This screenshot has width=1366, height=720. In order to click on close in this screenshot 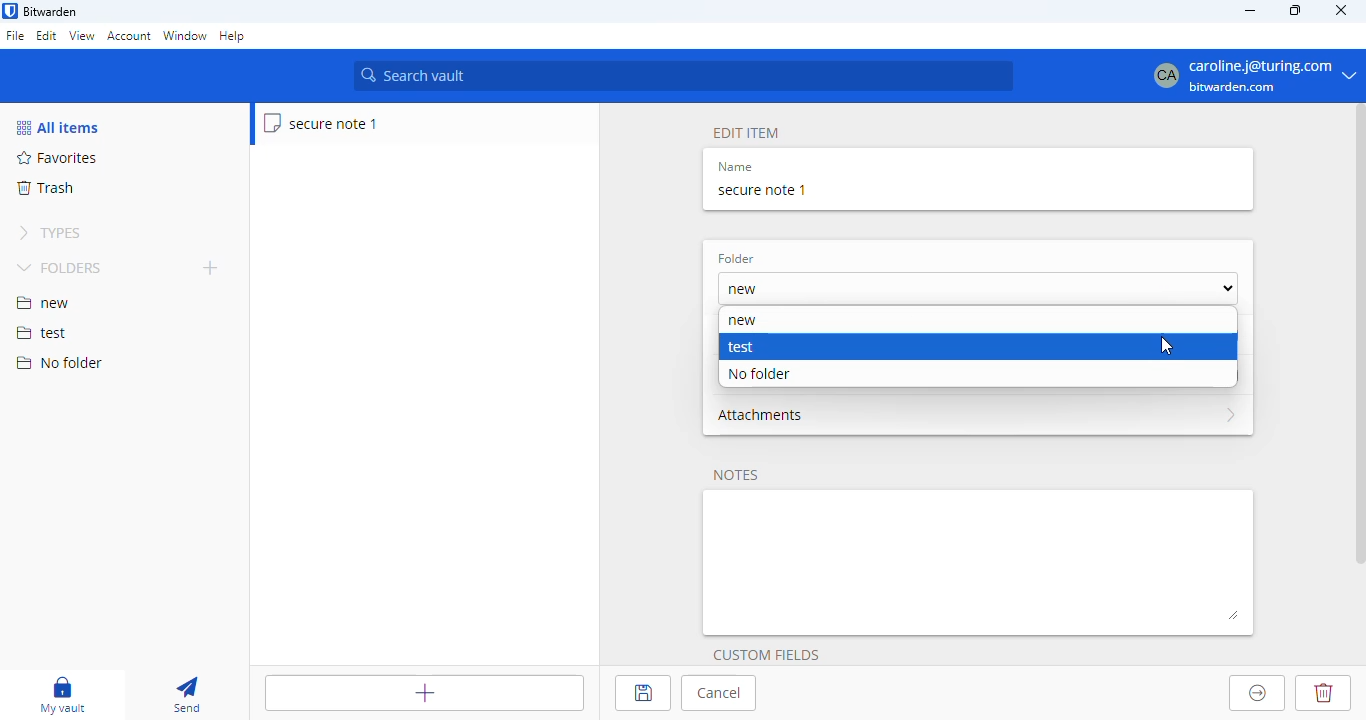, I will do `click(1342, 9)`.